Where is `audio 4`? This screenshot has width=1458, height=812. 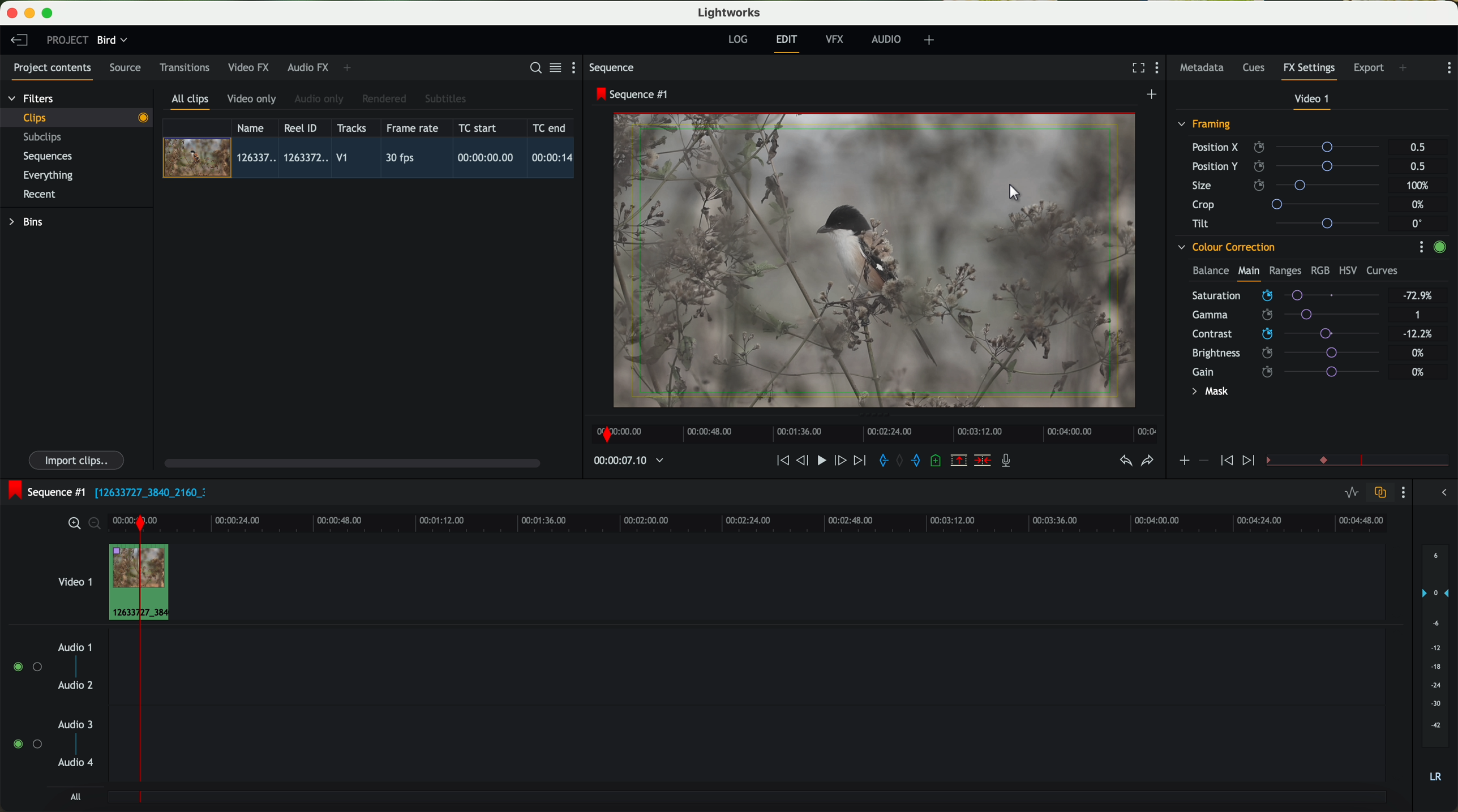 audio 4 is located at coordinates (76, 763).